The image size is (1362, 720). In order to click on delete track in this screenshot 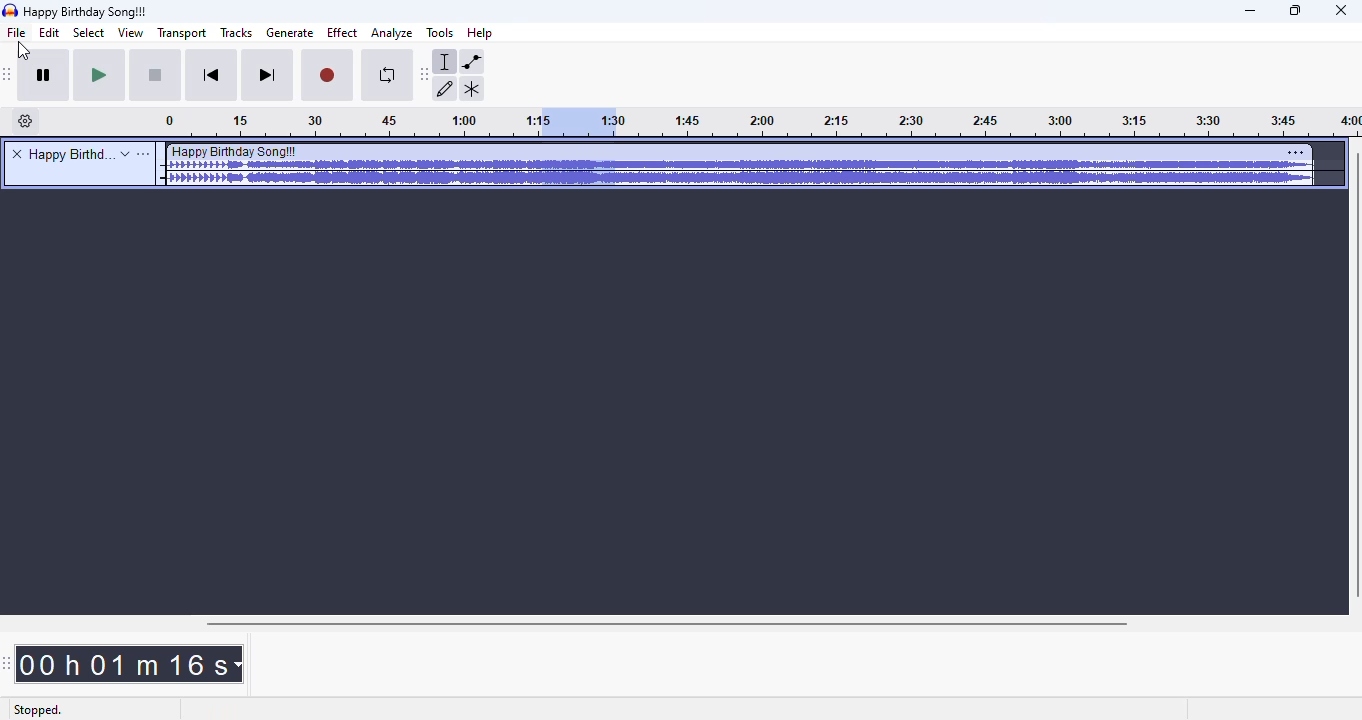, I will do `click(17, 153)`.